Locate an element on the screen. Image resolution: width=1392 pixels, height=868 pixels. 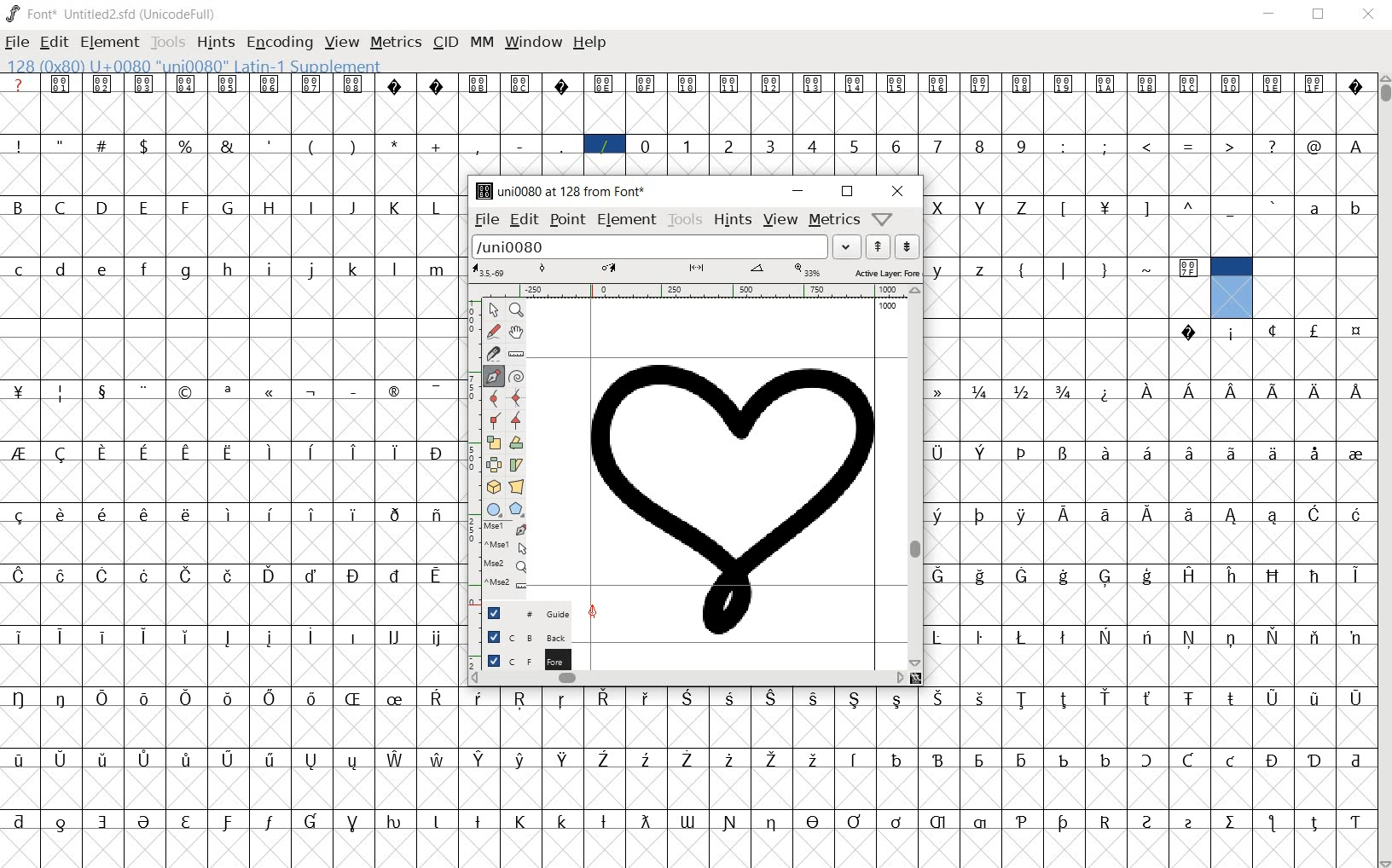
glyph is located at coordinates (271, 269).